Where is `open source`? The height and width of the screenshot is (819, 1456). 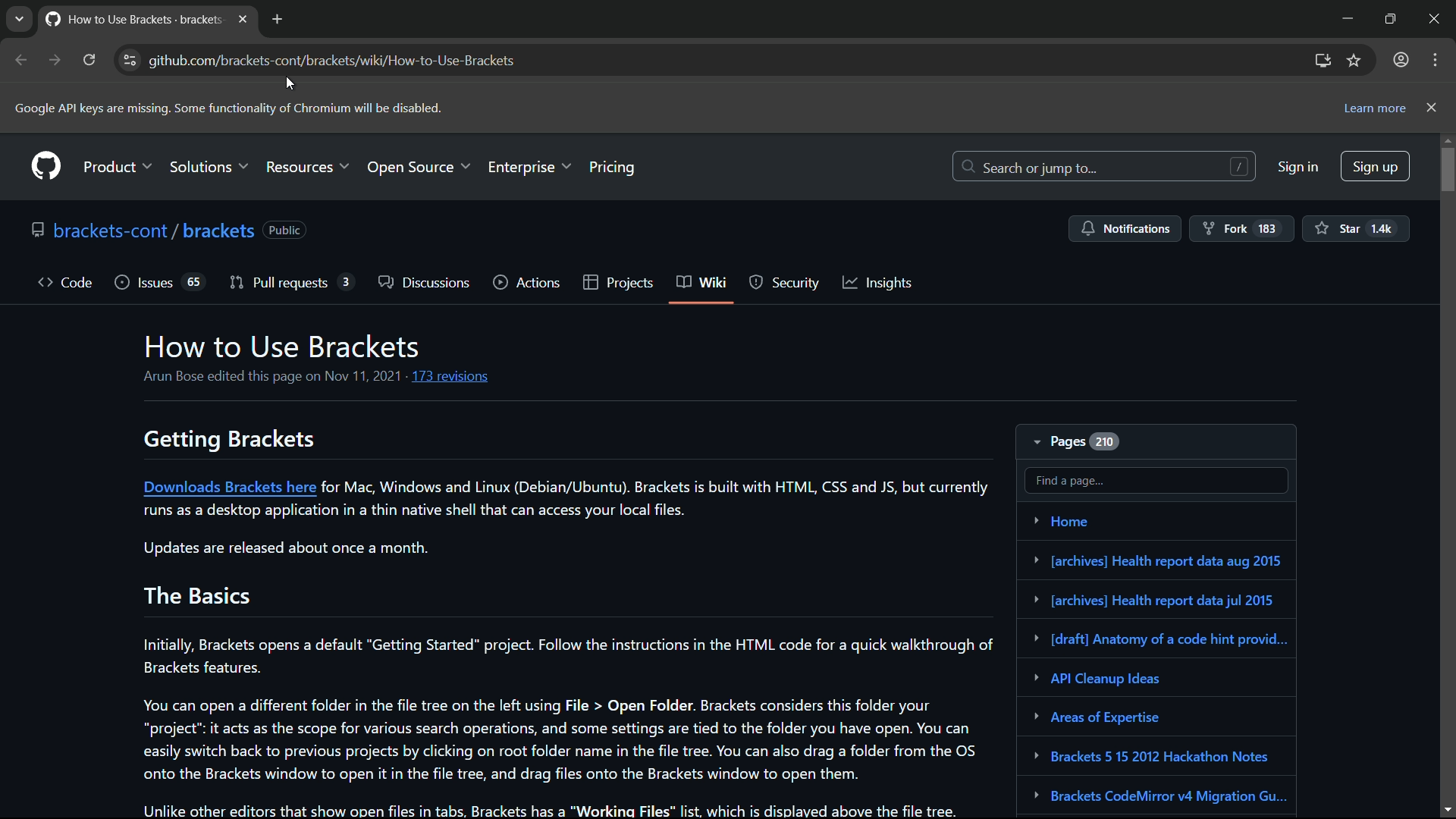 open source is located at coordinates (417, 167).